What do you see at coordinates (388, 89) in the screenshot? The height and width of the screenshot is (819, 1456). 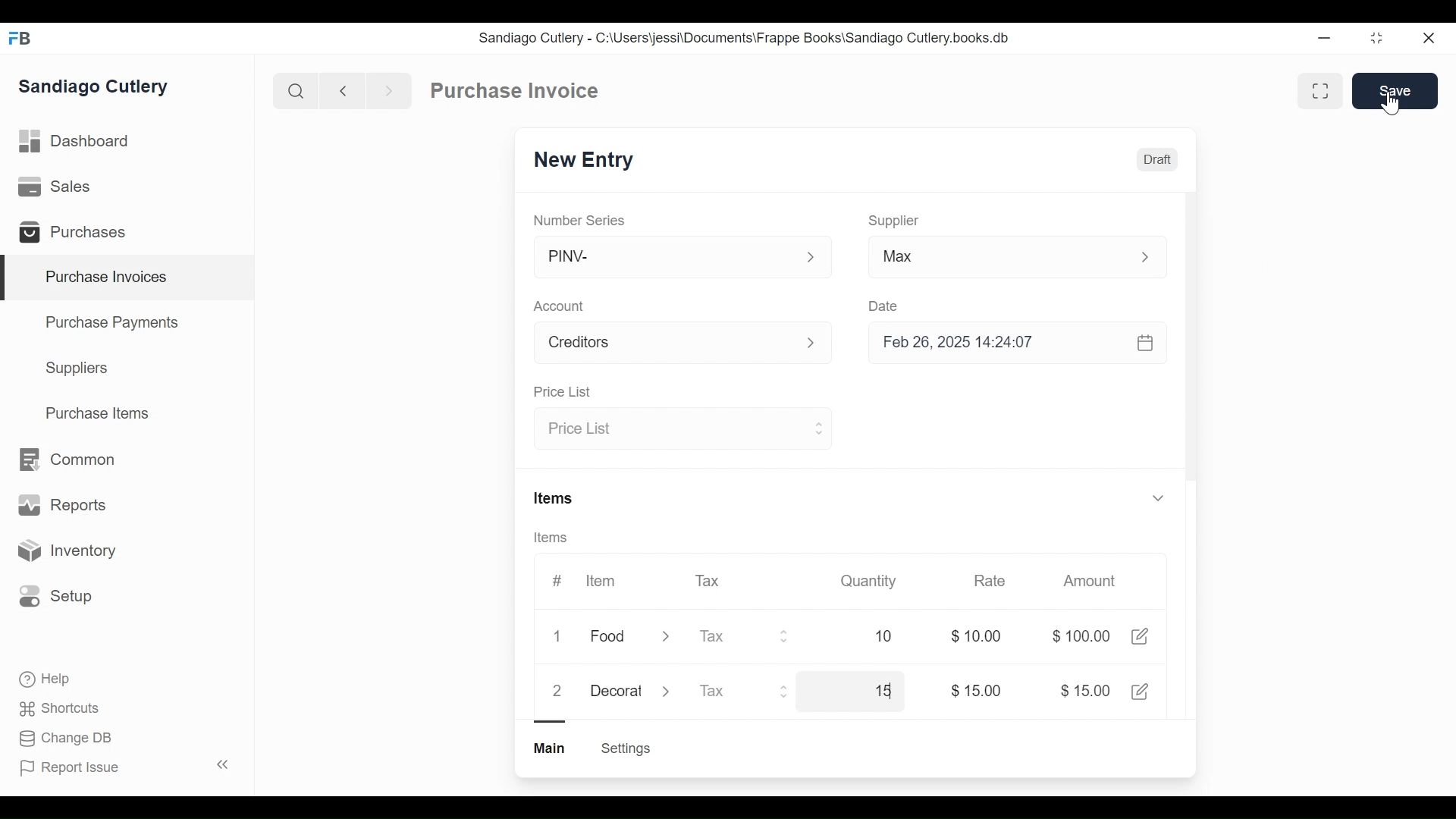 I see `Navigate forward` at bounding box center [388, 89].